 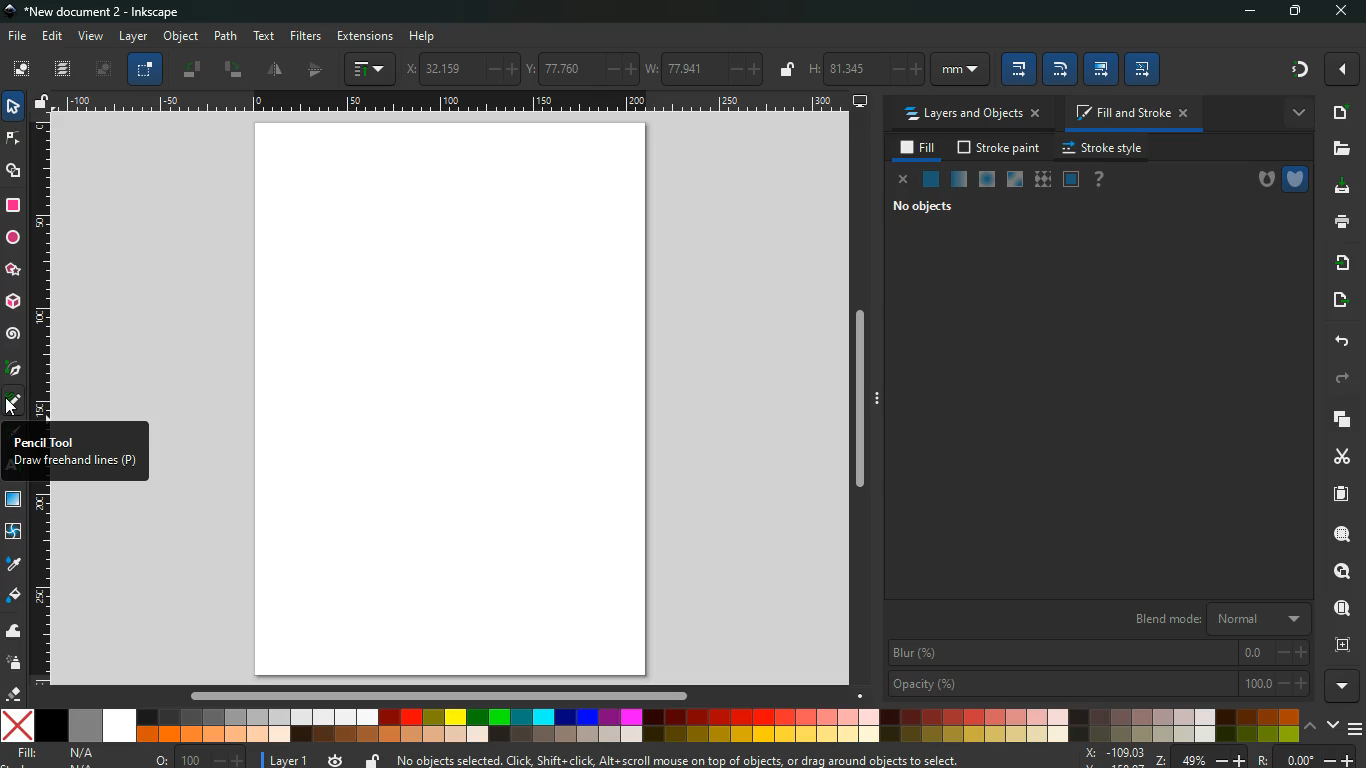 I want to click on fill, so click(x=919, y=148).